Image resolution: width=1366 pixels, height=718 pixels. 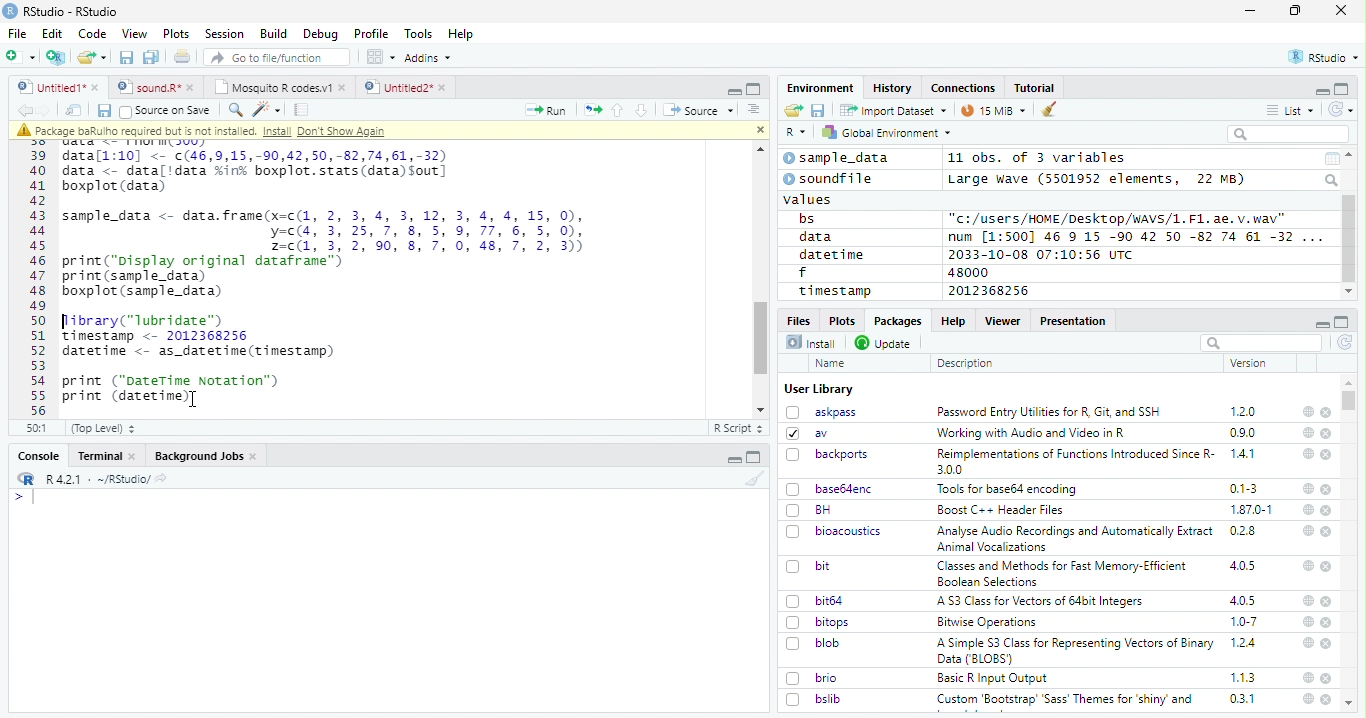 What do you see at coordinates (800, 319) in the screenshot?
I see `Files` at bounding box center [800, 319].